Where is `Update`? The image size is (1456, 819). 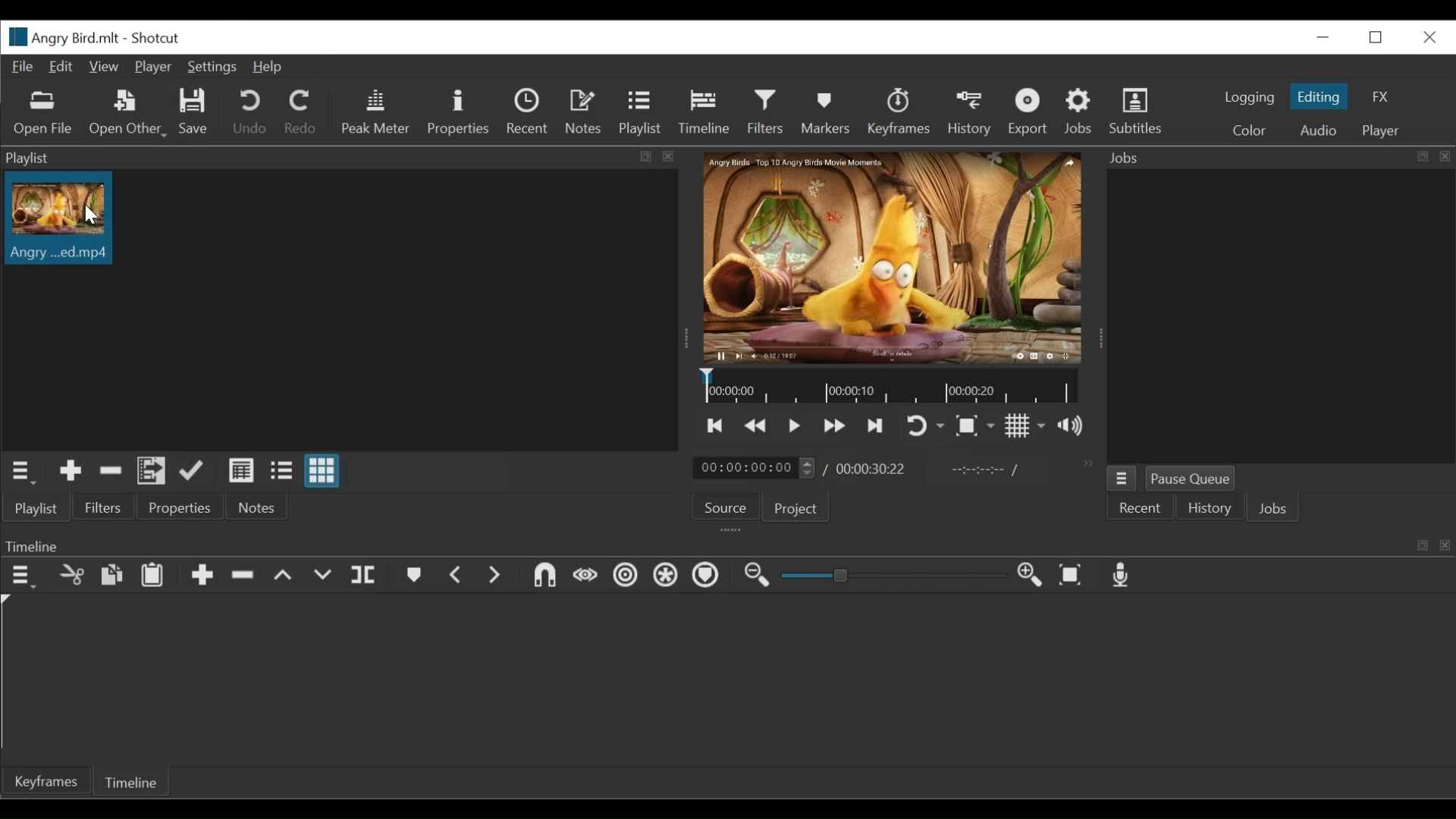 Update is located at coordinates (193, 470).